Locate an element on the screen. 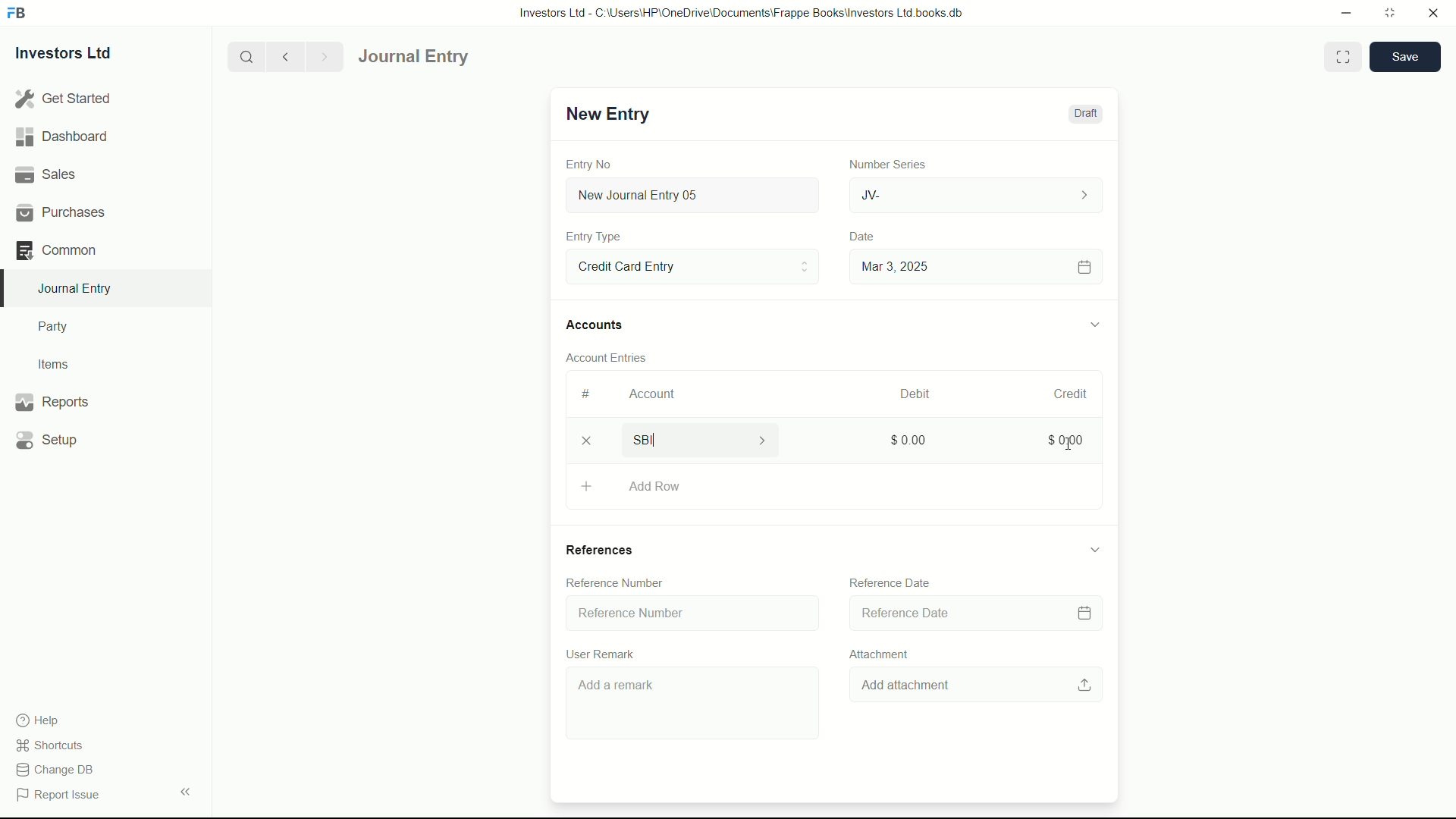 This screenshot has height=819, width=1456. Next is located at coordinates (322, 56).